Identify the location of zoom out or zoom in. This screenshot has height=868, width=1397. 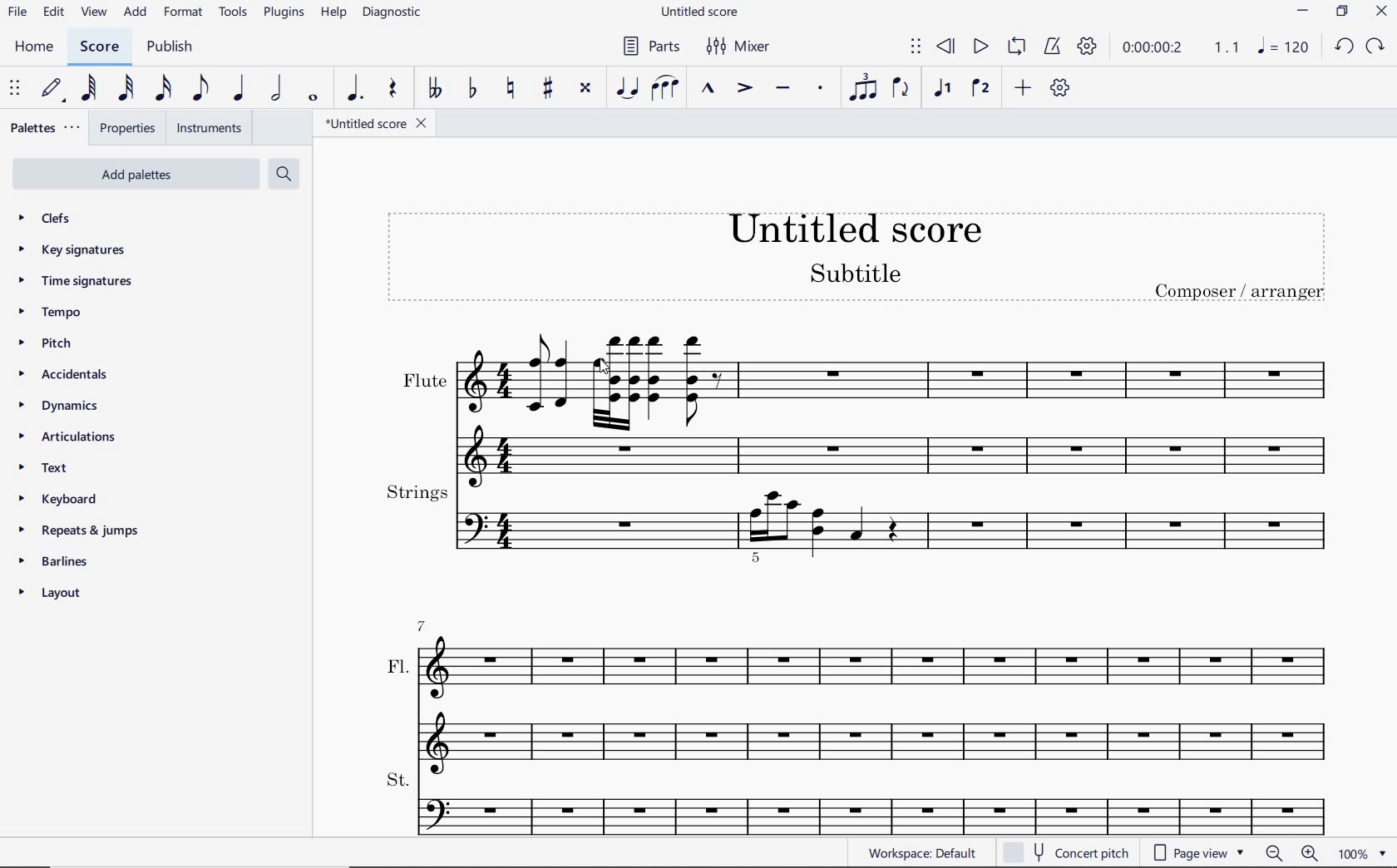
(1291, 854).